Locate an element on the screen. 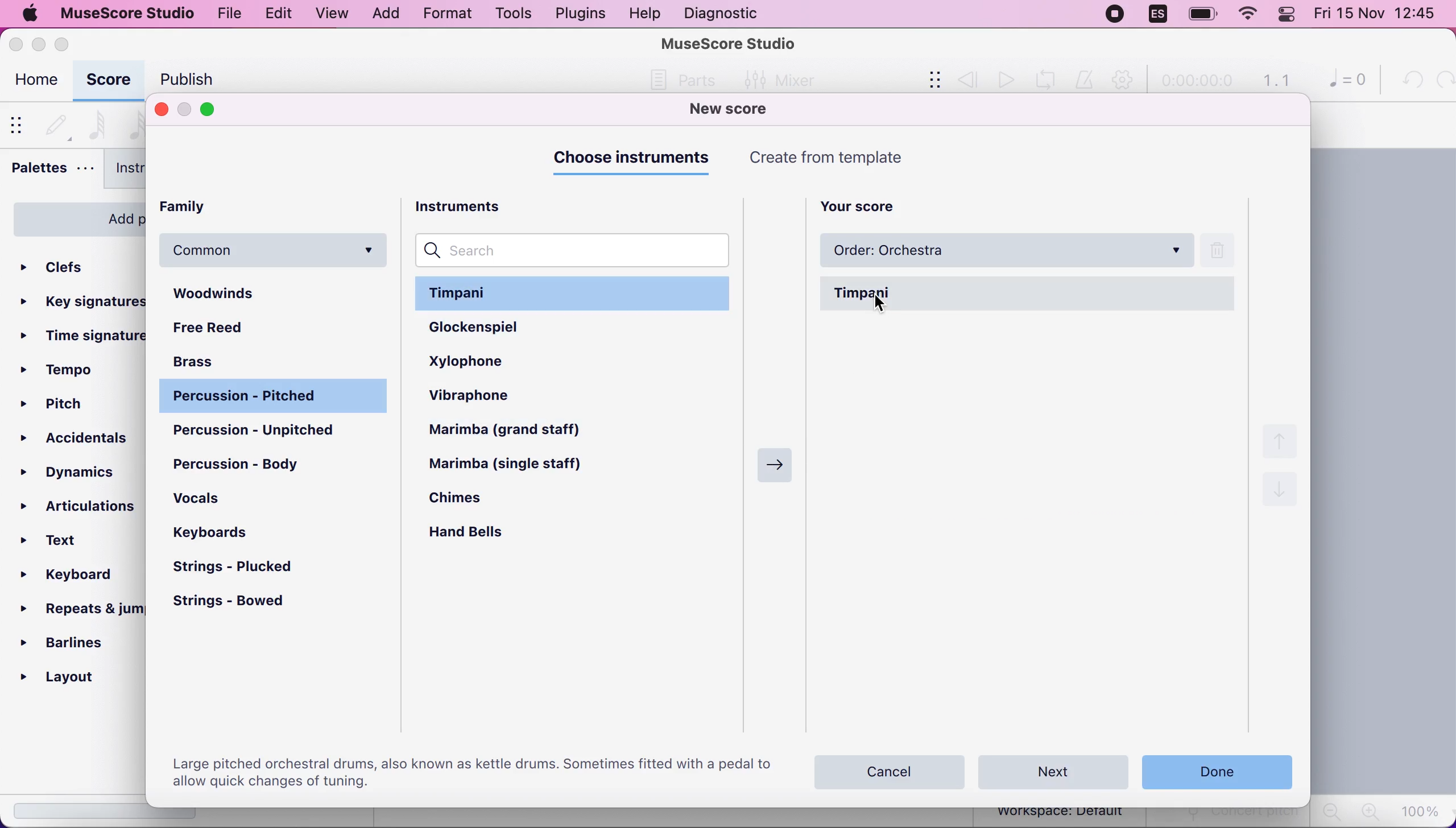 This screenshot has width=1456, height=828. diagnostic is located at coordinates (725, 13).